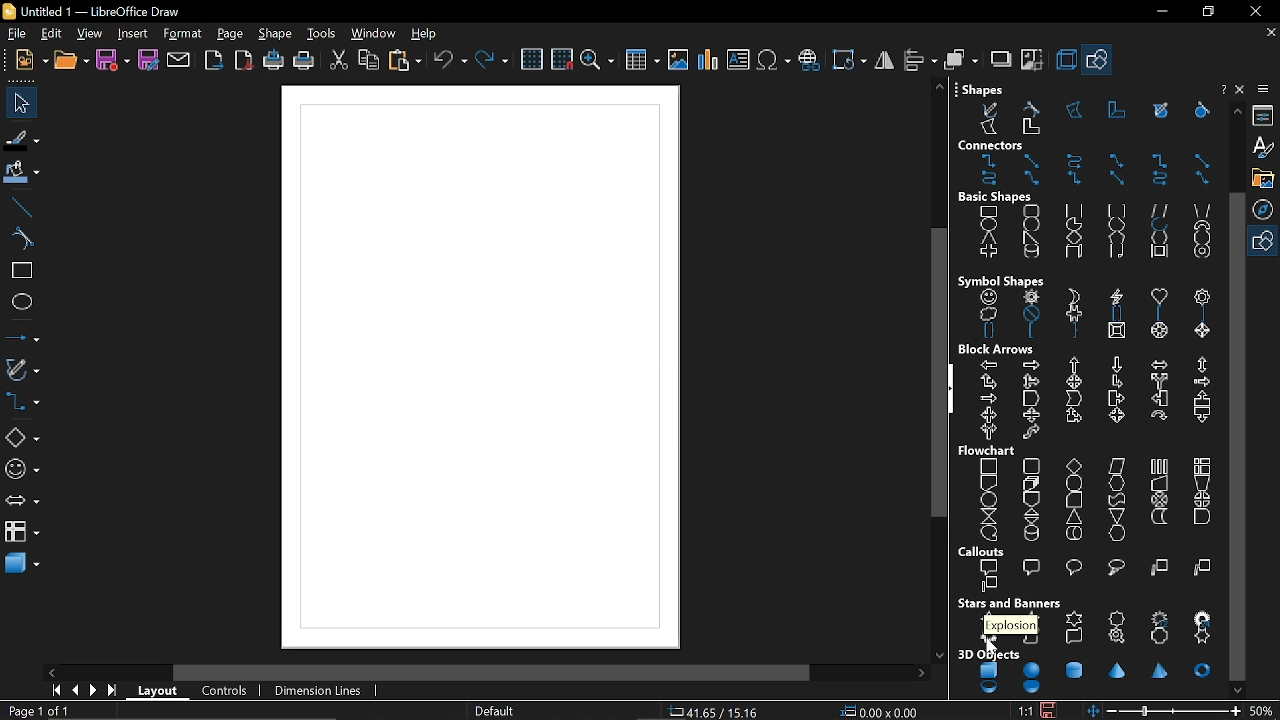 The image size is (1280, 720). Describe the element at coordinates (1157, 12) in the screenshot. I see `Minimize` at that location.